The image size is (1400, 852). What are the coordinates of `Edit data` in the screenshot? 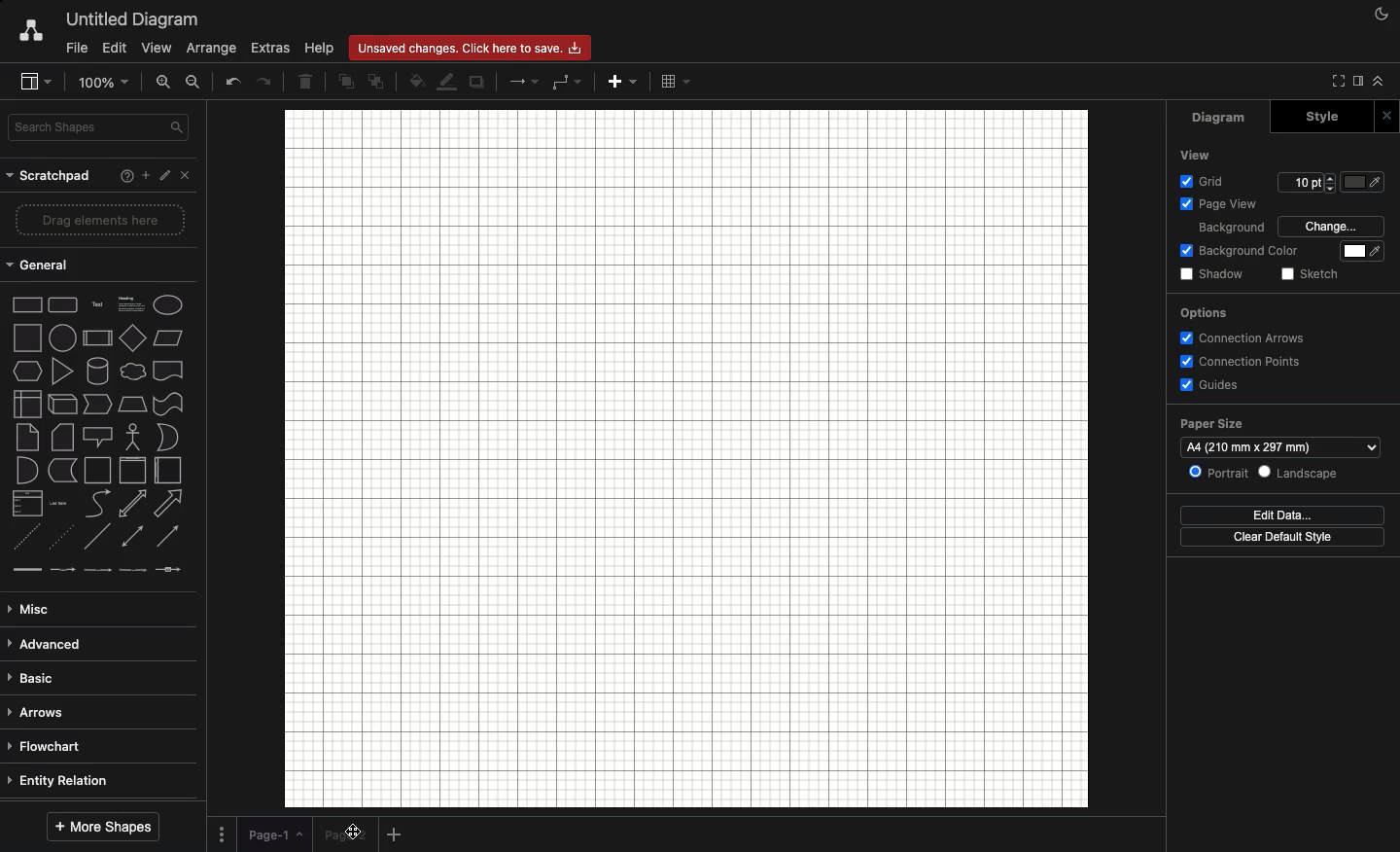 It's located at (1277, 514).